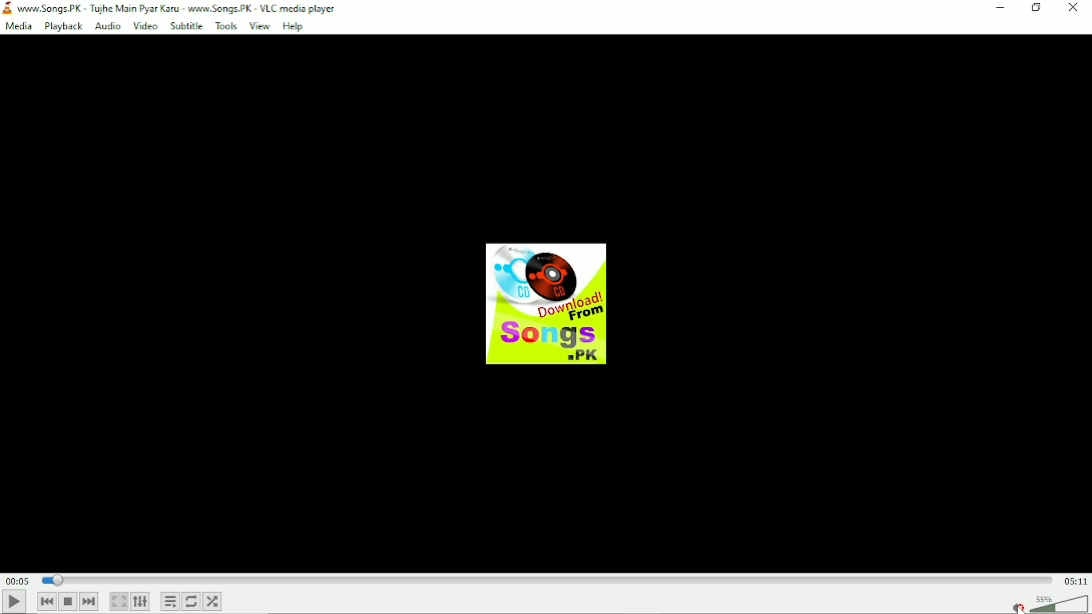  I want to click on Total duration, so click(1074, 580).